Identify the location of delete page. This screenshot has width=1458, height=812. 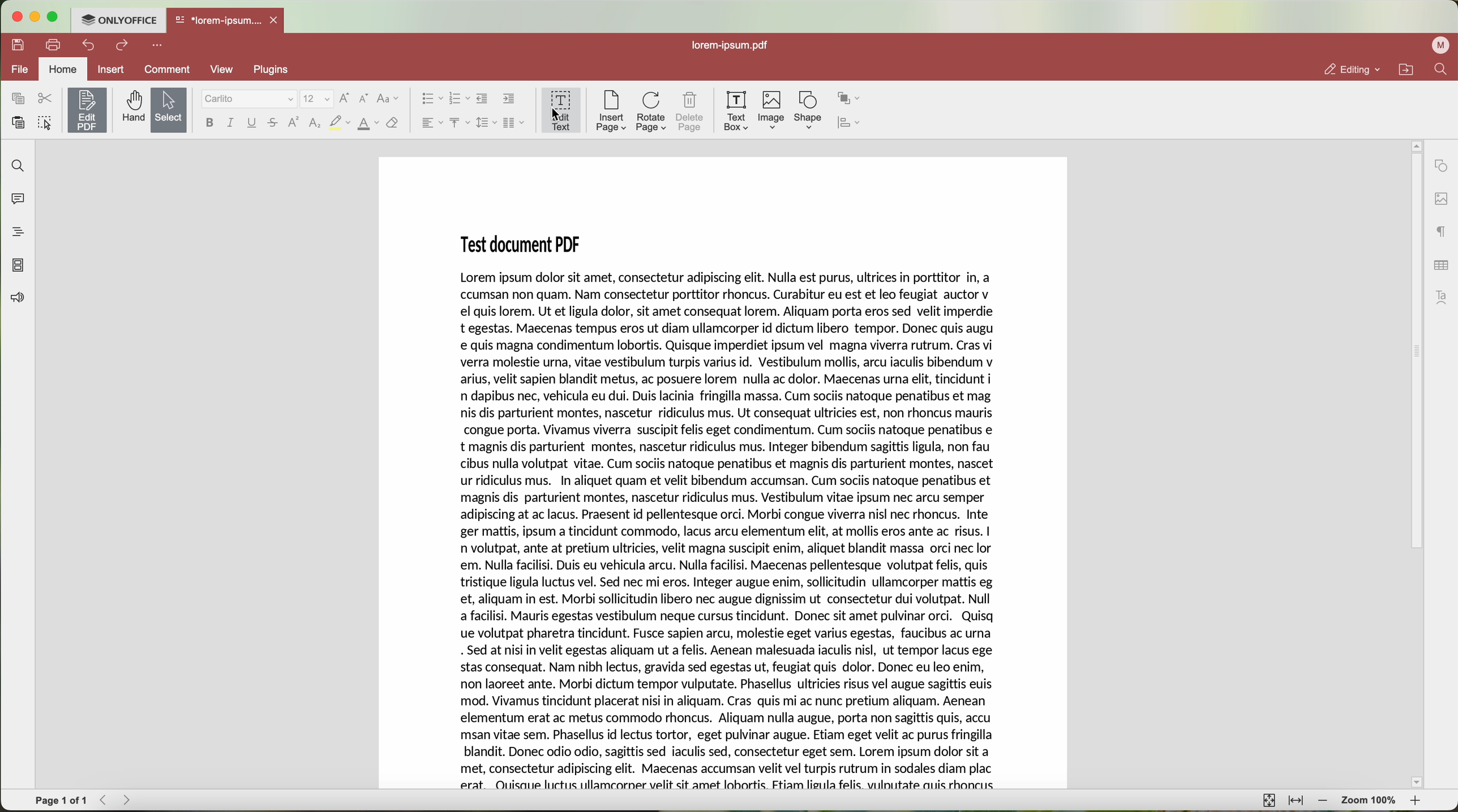
(691, 113).